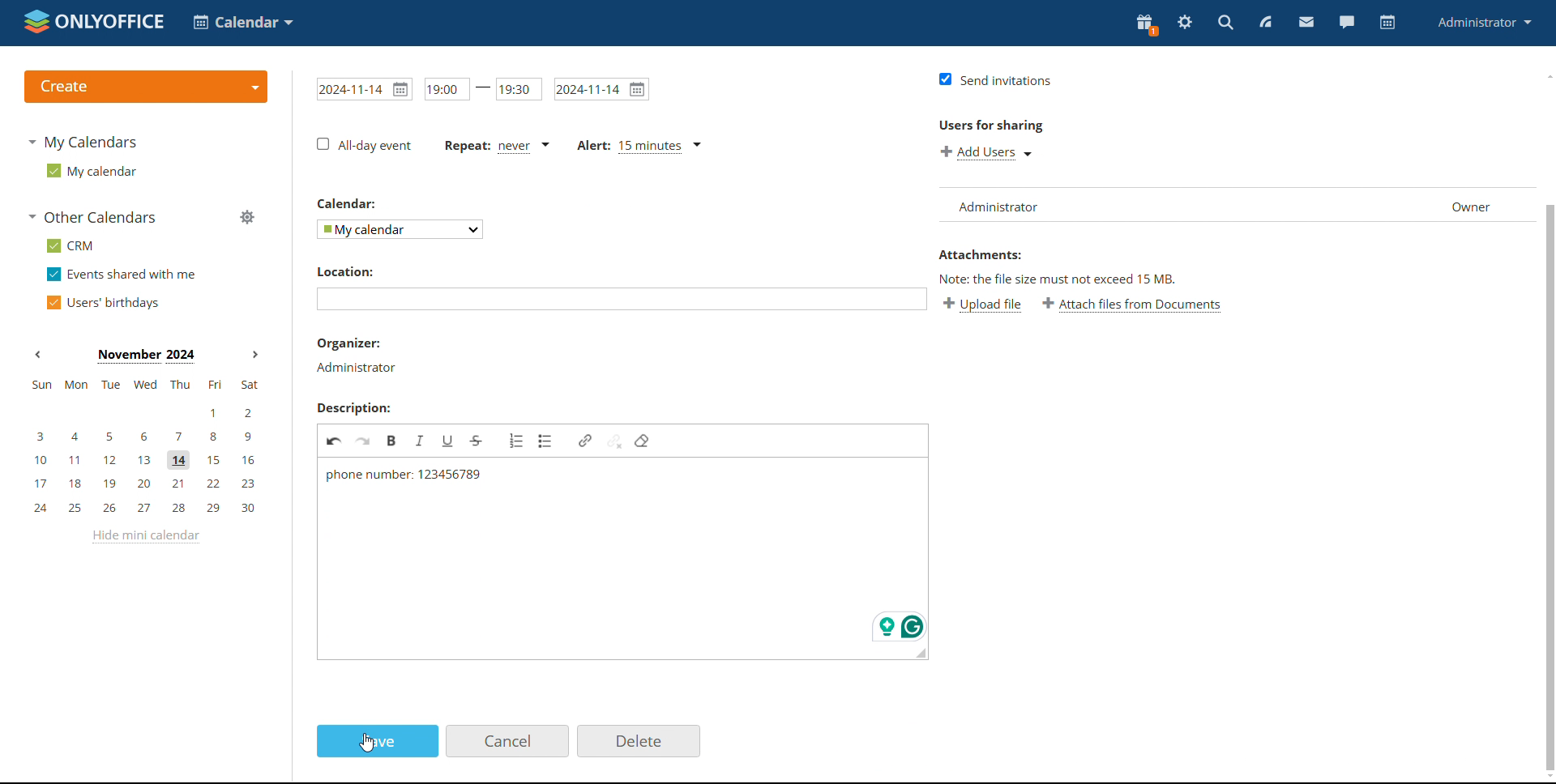 This screenshot has width=1556, height=784. Describe the element at coordinates (477, 442) in the screenshot. I see `strikethrough` at that location.